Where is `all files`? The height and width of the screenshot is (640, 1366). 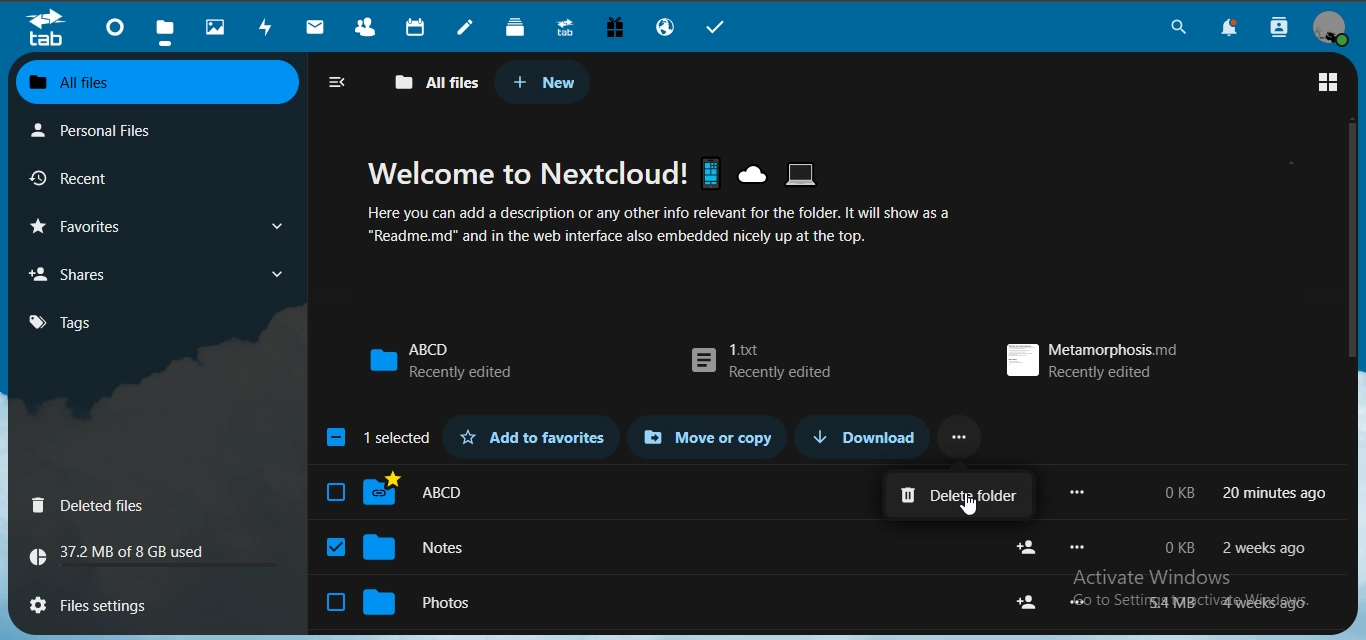
all files is located at coordinates (155, 80).